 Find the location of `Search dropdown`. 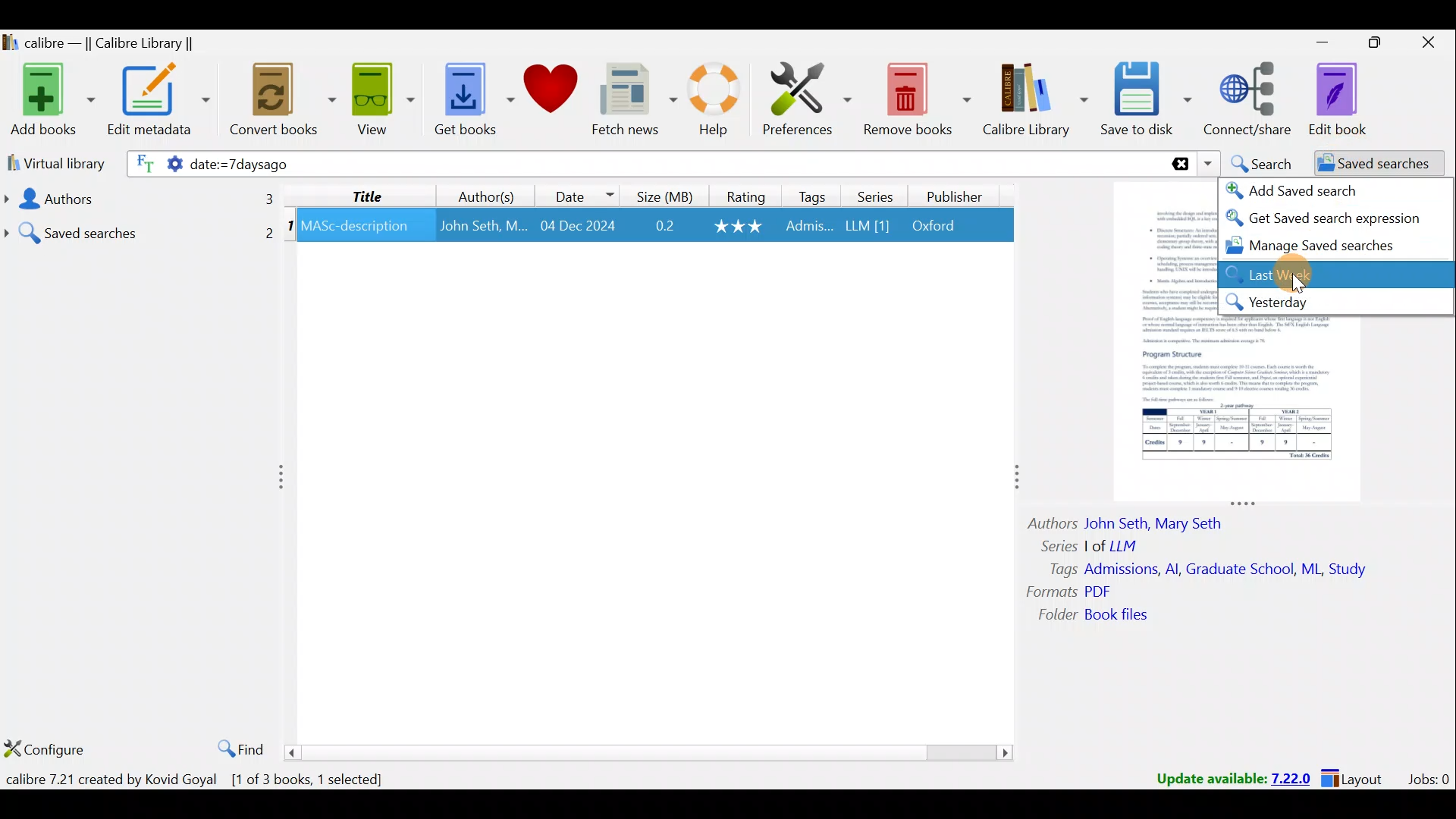

Search dropdown is located at coordinates (1207, 164).